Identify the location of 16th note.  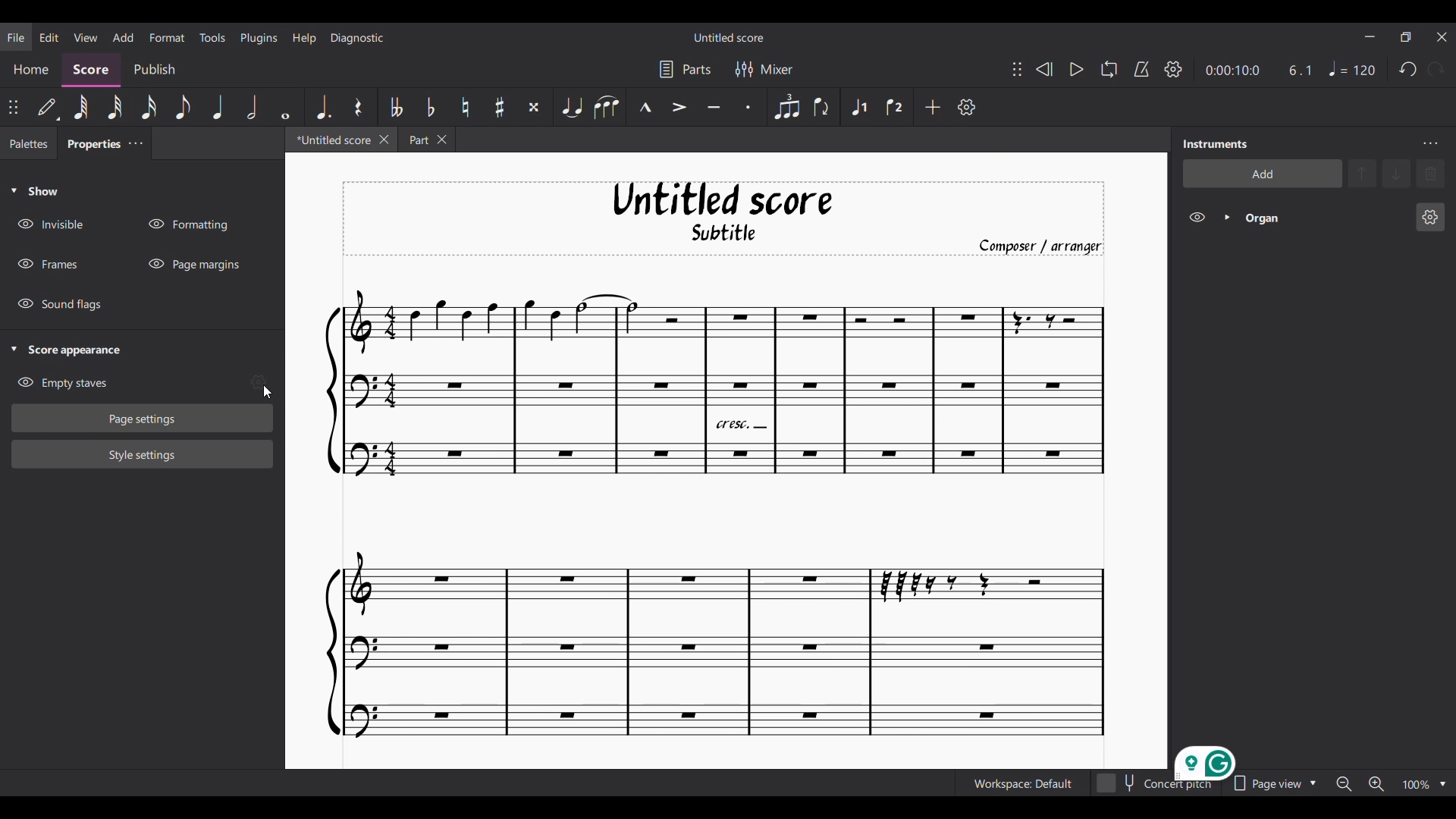
(149, 108).